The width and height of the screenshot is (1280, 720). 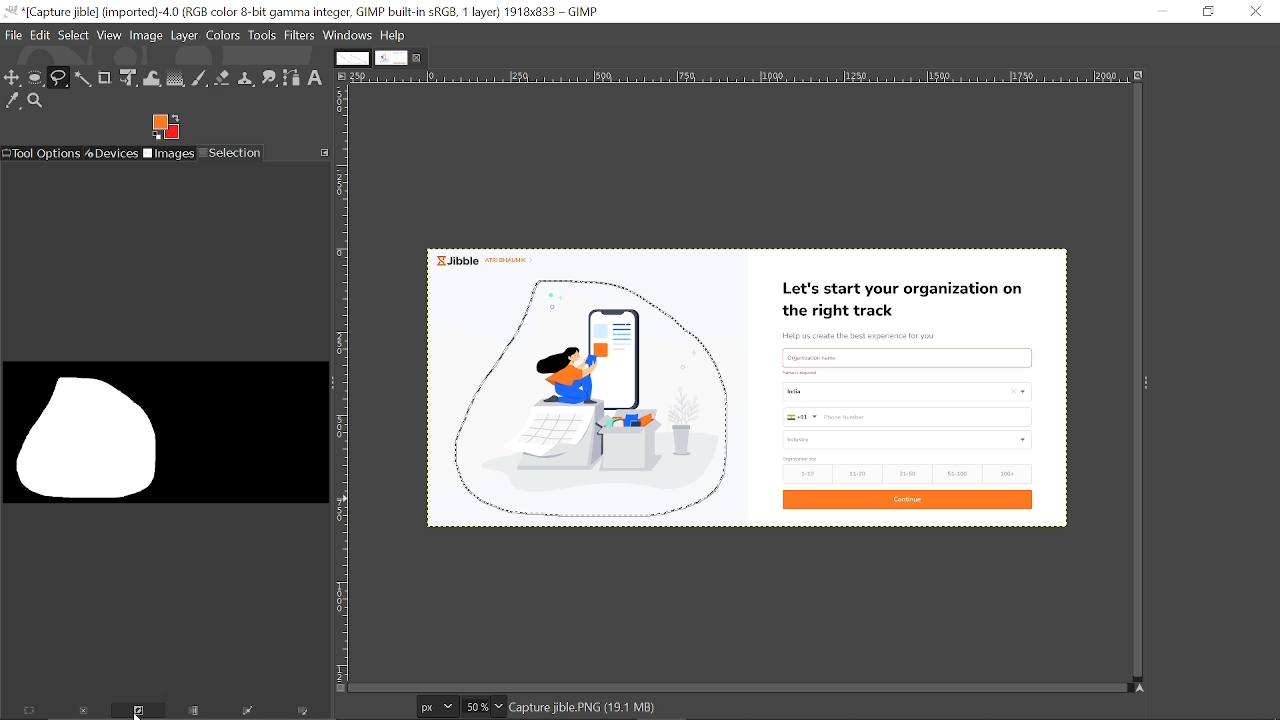 I want to click on Close current tab, so click(x=419, y=61).